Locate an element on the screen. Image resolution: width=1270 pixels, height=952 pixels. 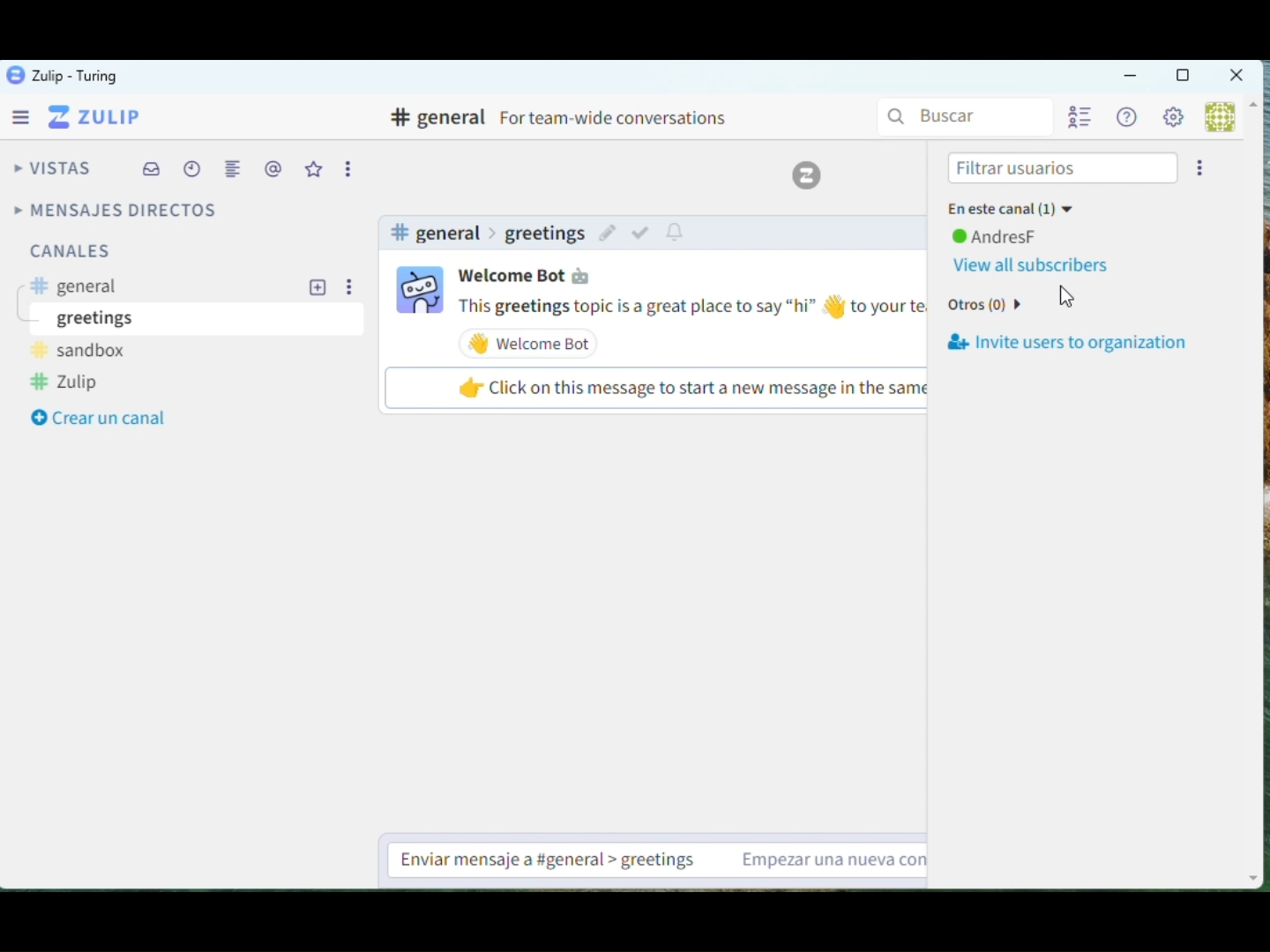
channel is located at coordinates (487, 232).